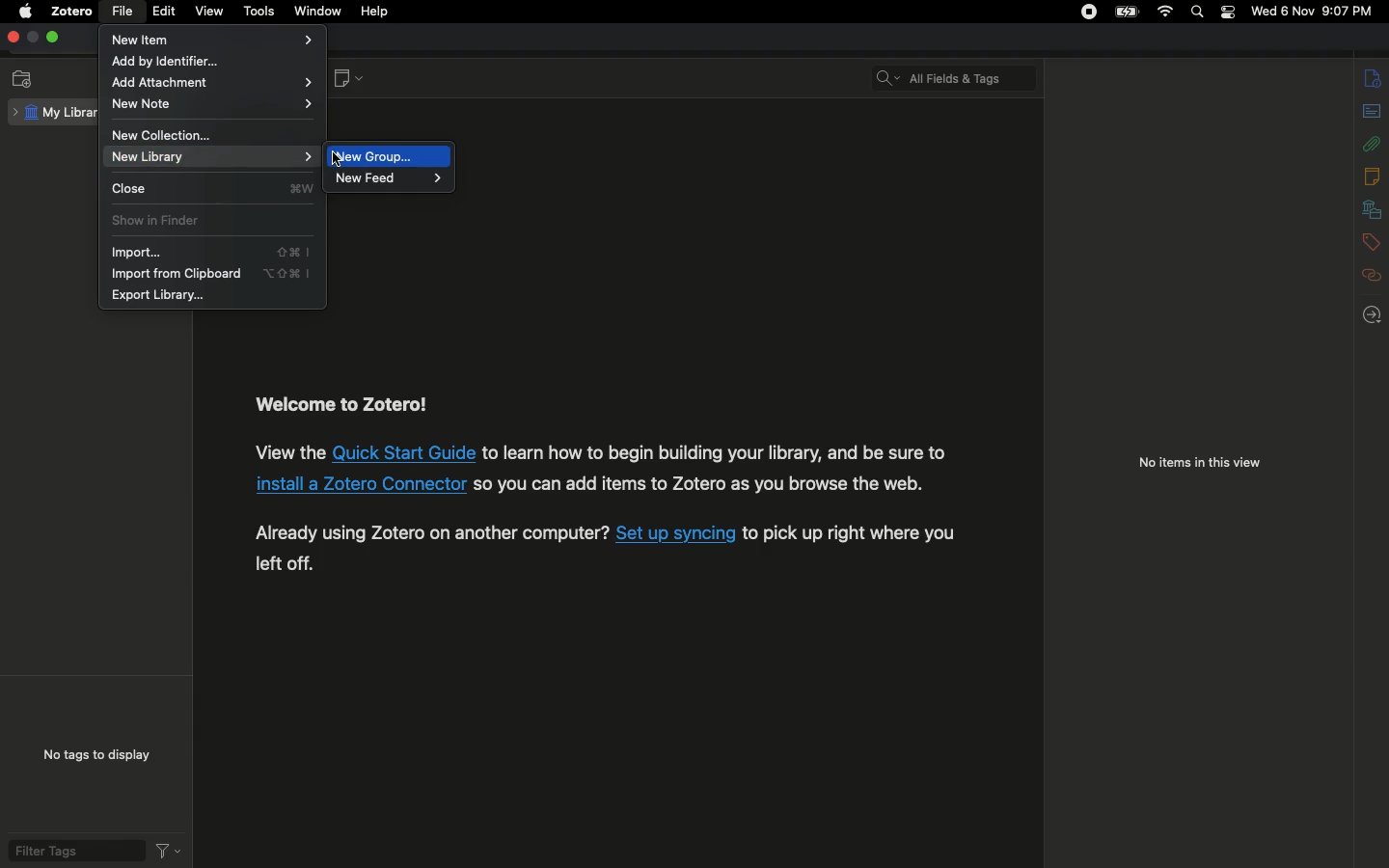  Describe the element at coordinates (24, 13) in the screenshot. I see `Apple logo` at that location.